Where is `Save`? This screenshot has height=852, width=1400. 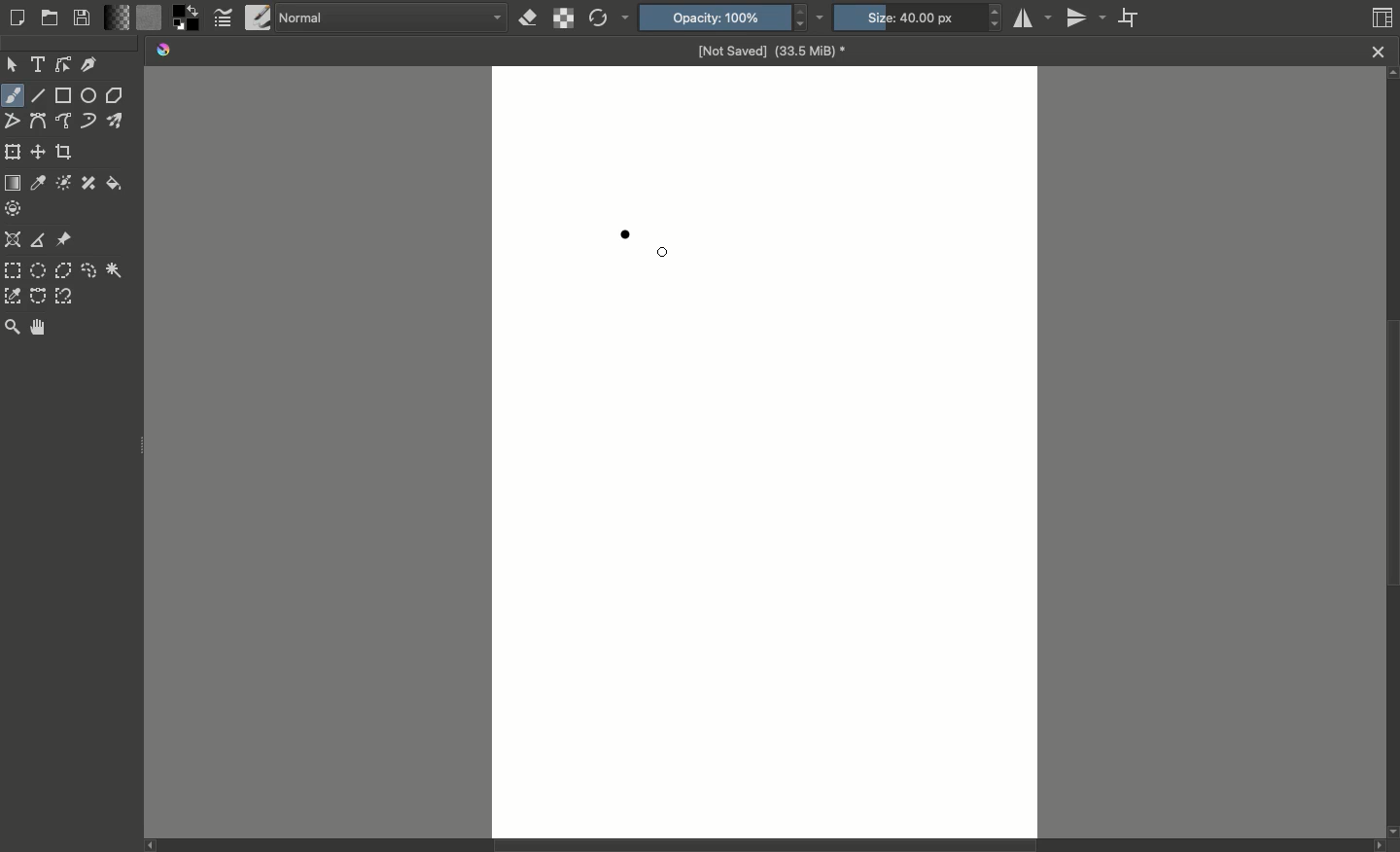 Save is located at coordinates (86, 18).